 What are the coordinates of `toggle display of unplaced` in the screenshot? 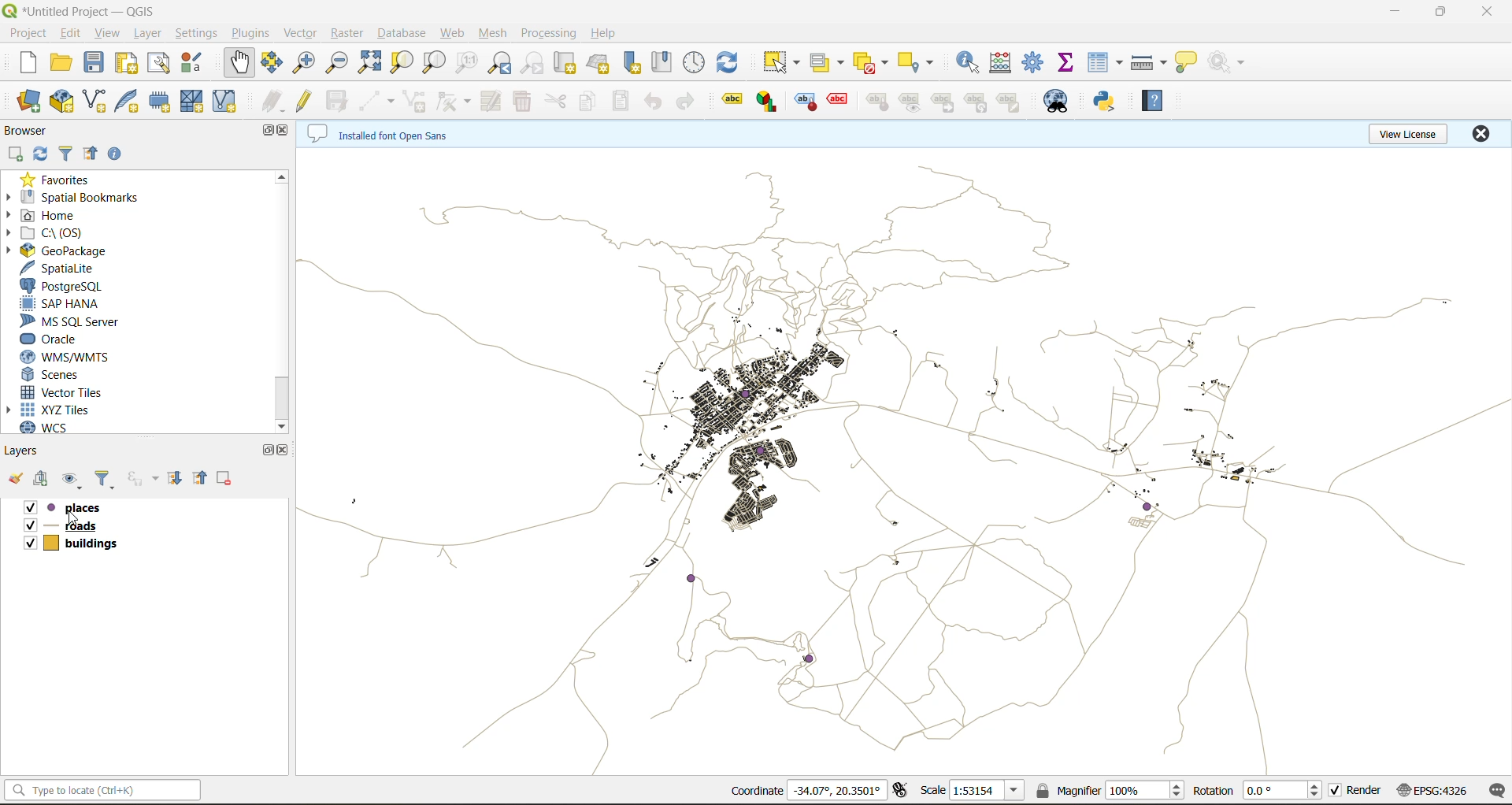 It's located at (836, 102).